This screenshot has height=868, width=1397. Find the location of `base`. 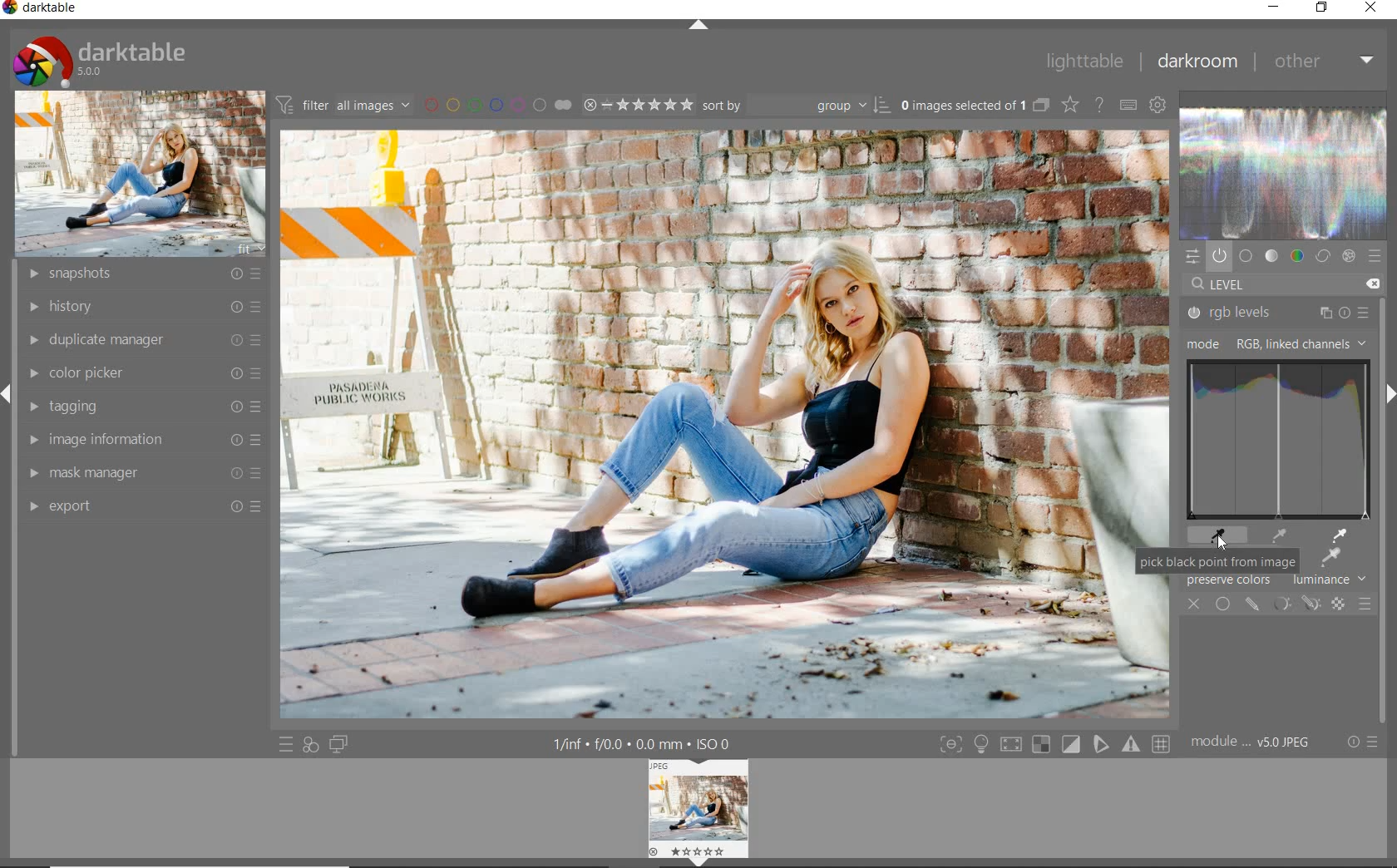

base is located at coordinates (1247, 254).